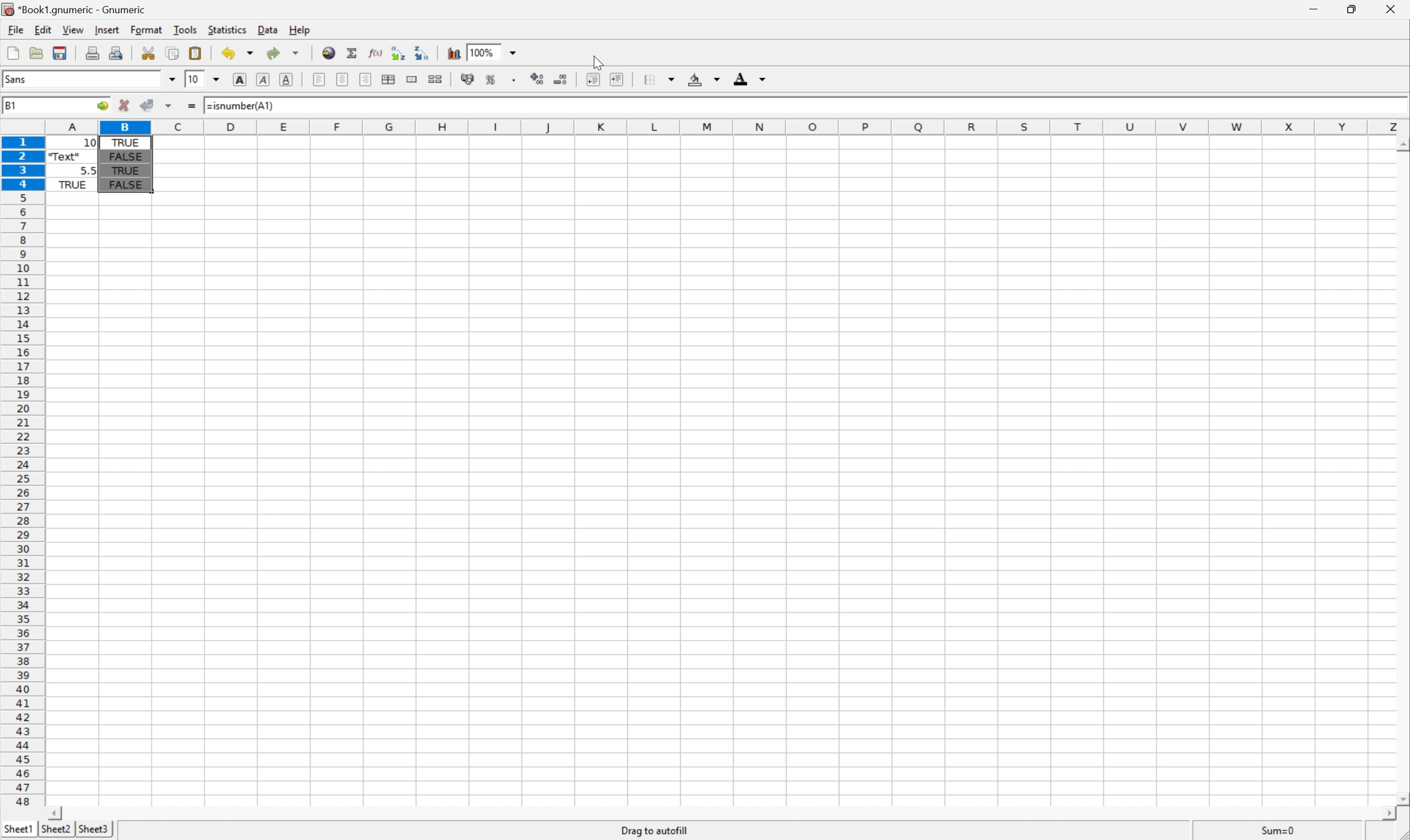 This screenshot has width=1410, height=840. Describe the element at coordinates (284, 52) in the screenshot. I see `Redo` at that location.